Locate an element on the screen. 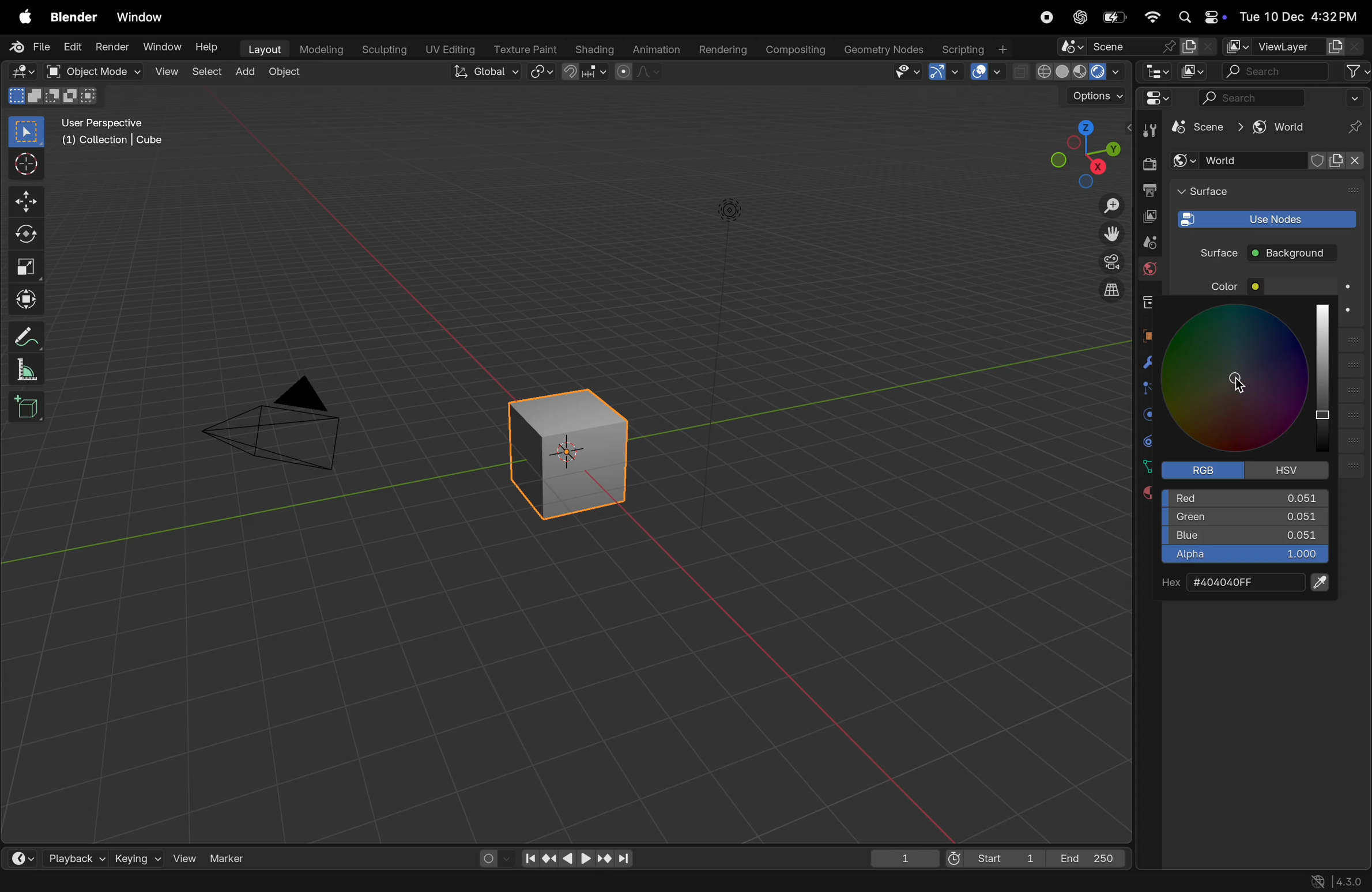  view point is located at coordinates (1083, 152).